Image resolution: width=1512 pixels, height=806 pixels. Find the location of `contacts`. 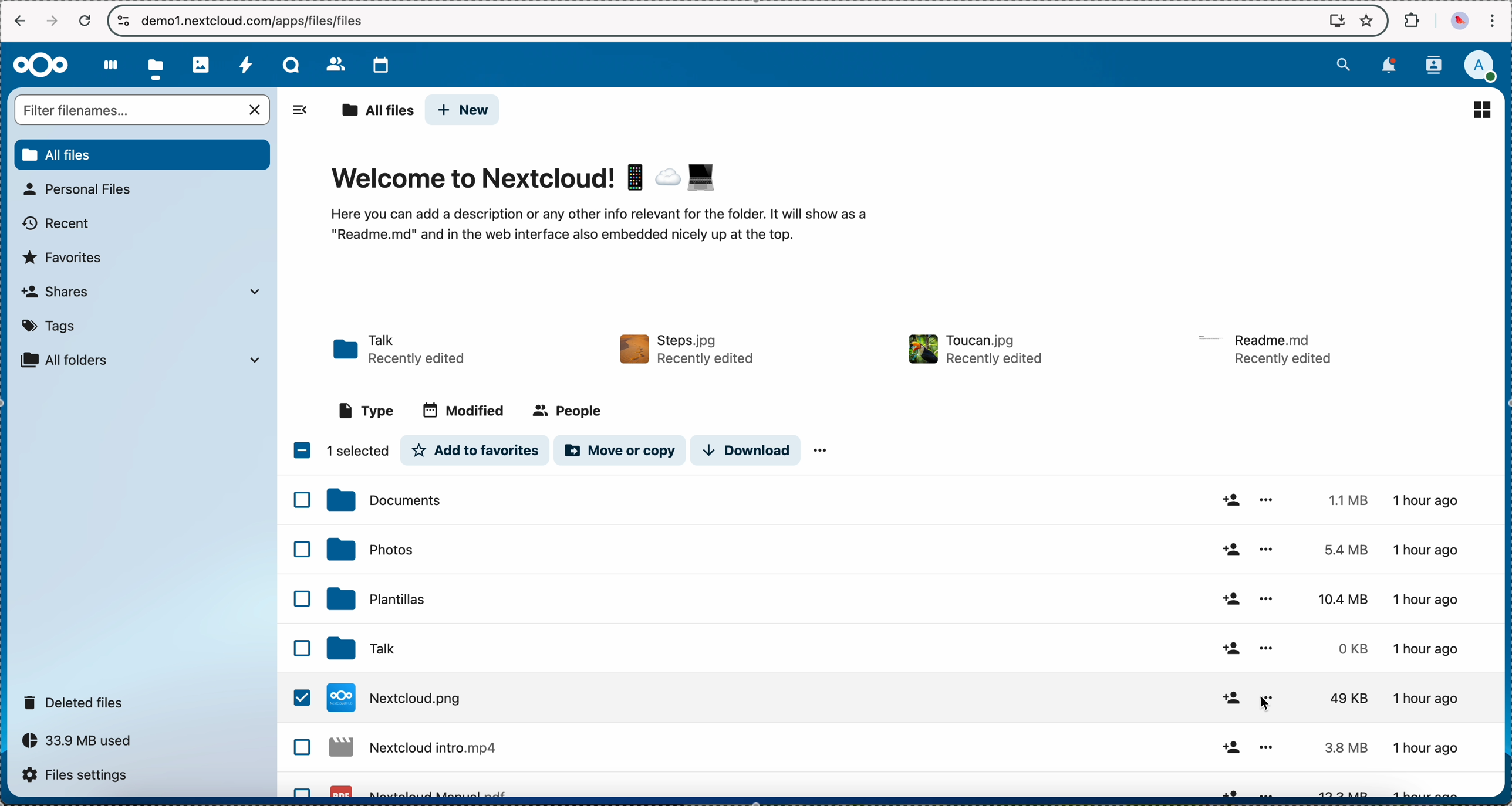

contacts is located at coordinates (1437, 64).